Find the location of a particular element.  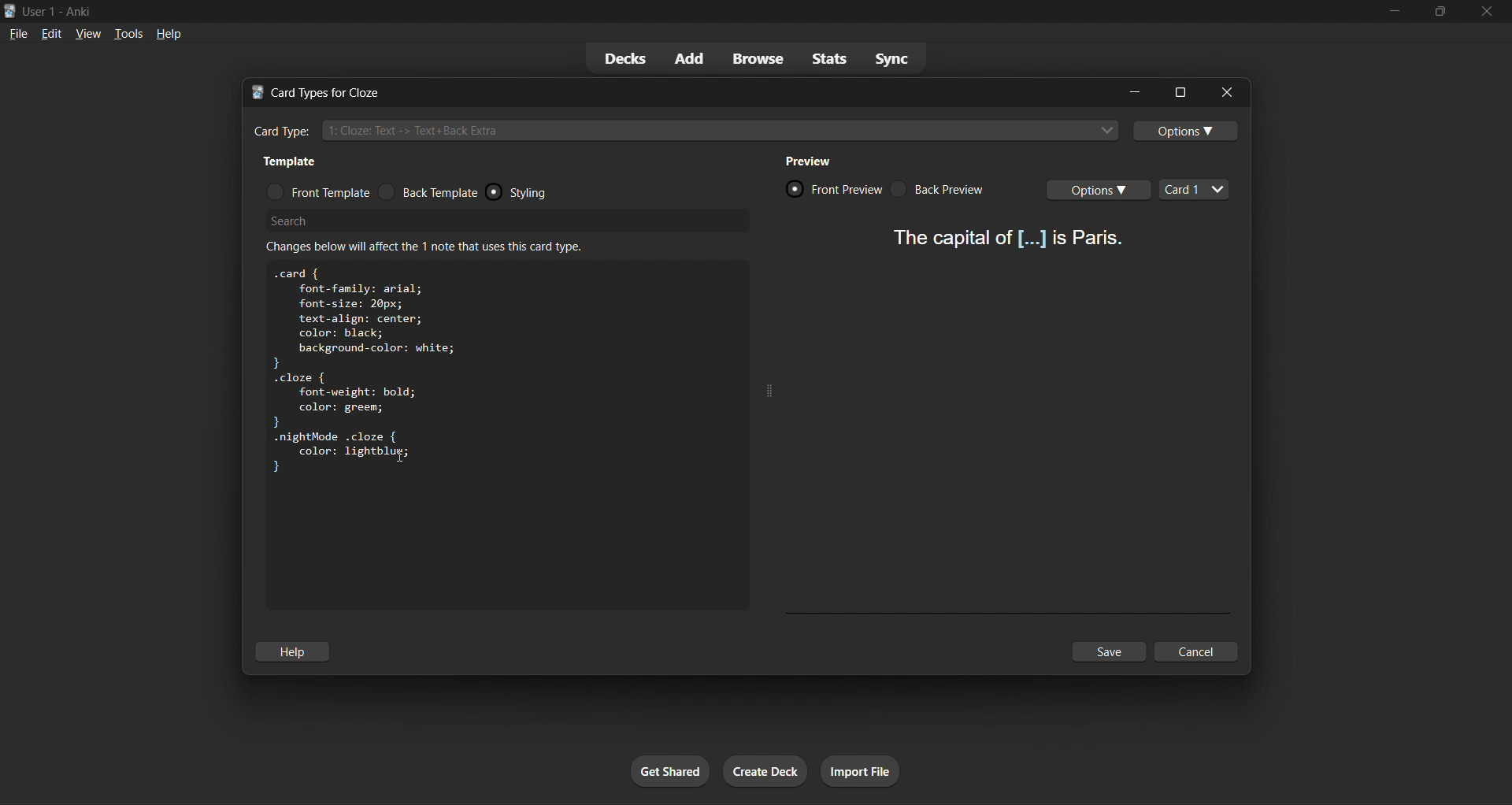

minimize is located at coordinates (1135, 91).